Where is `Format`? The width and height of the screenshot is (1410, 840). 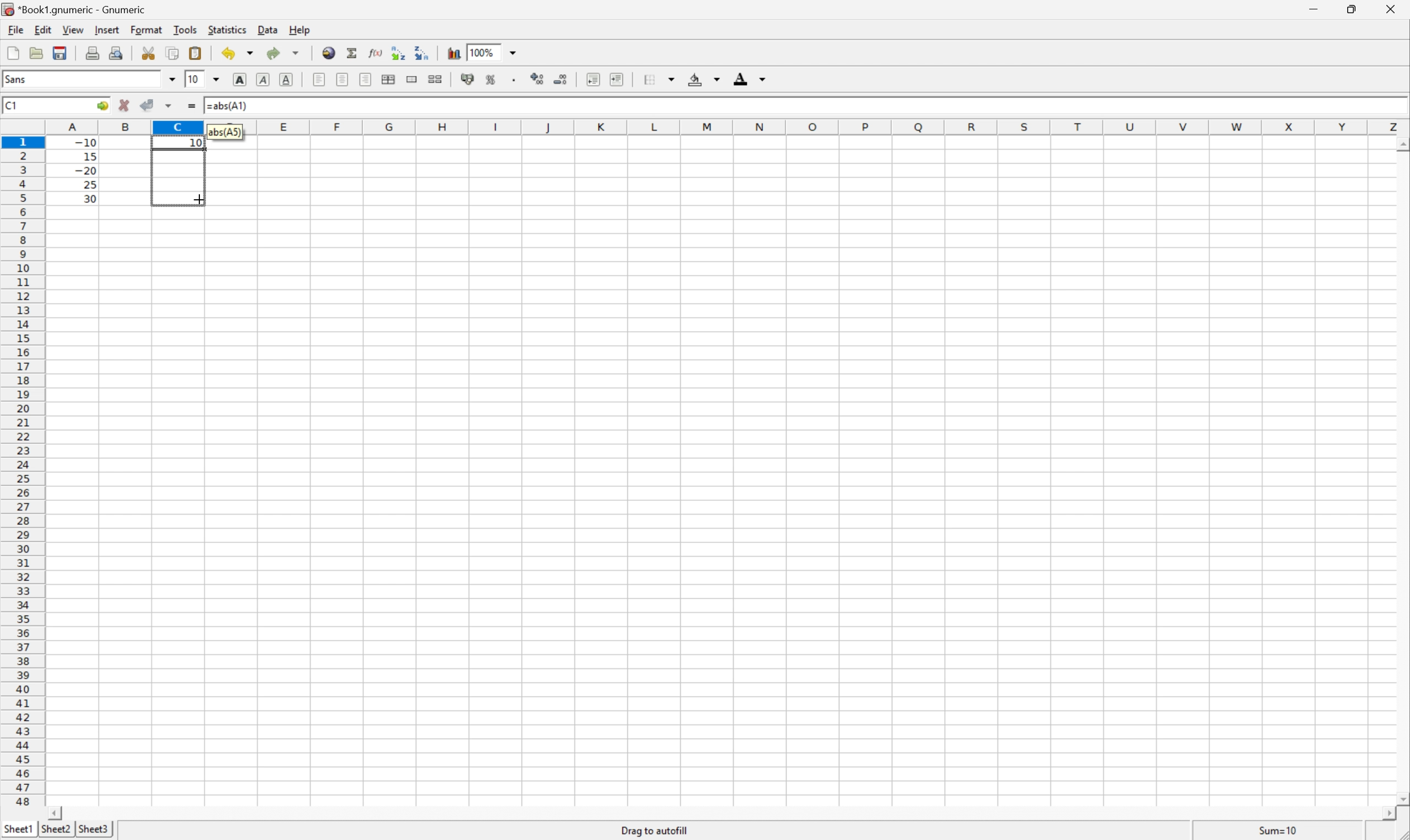 Format is located at coordinates (148, 28).